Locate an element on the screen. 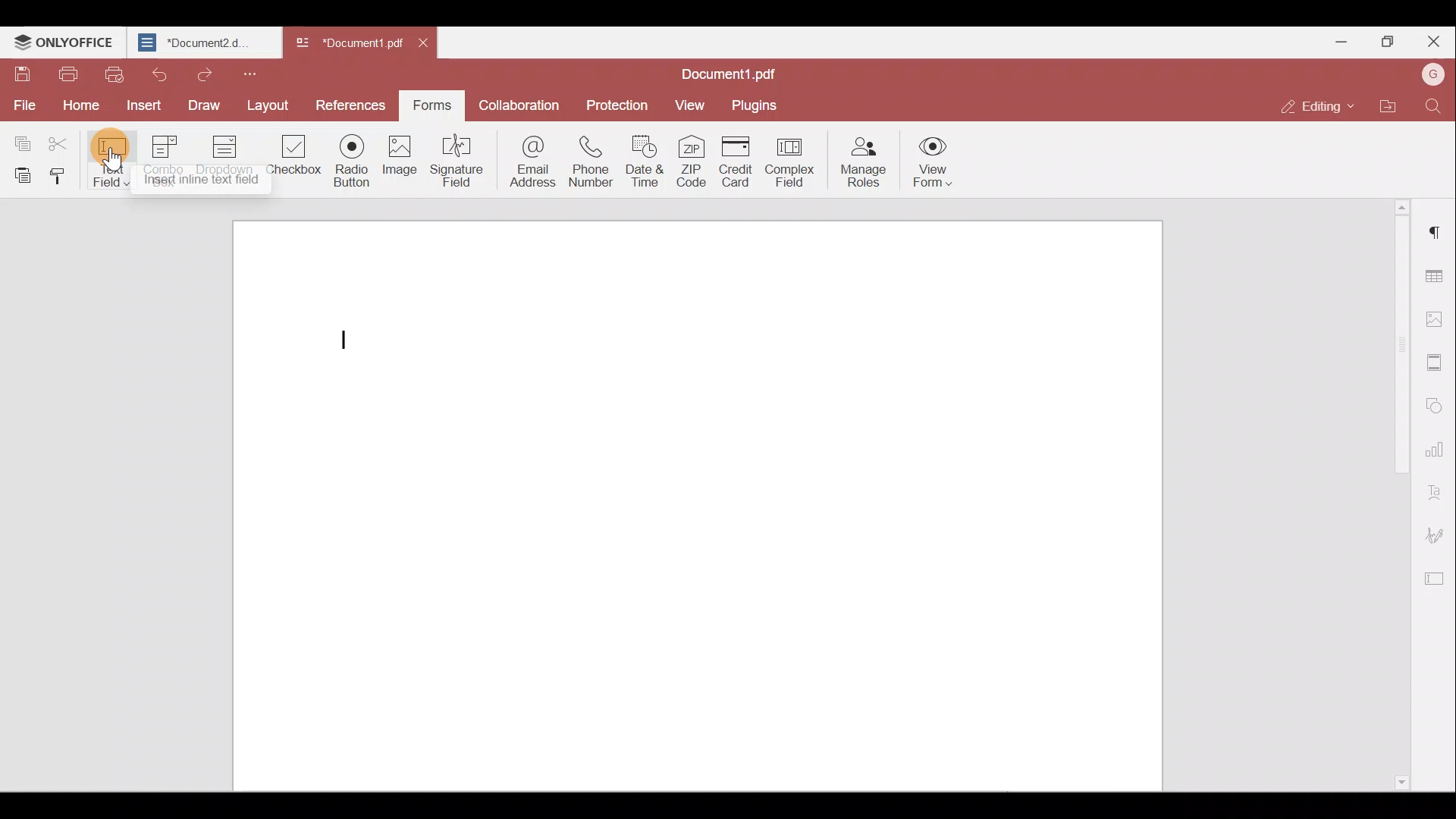  Shapes settings is located at coordinates (1438, 406).